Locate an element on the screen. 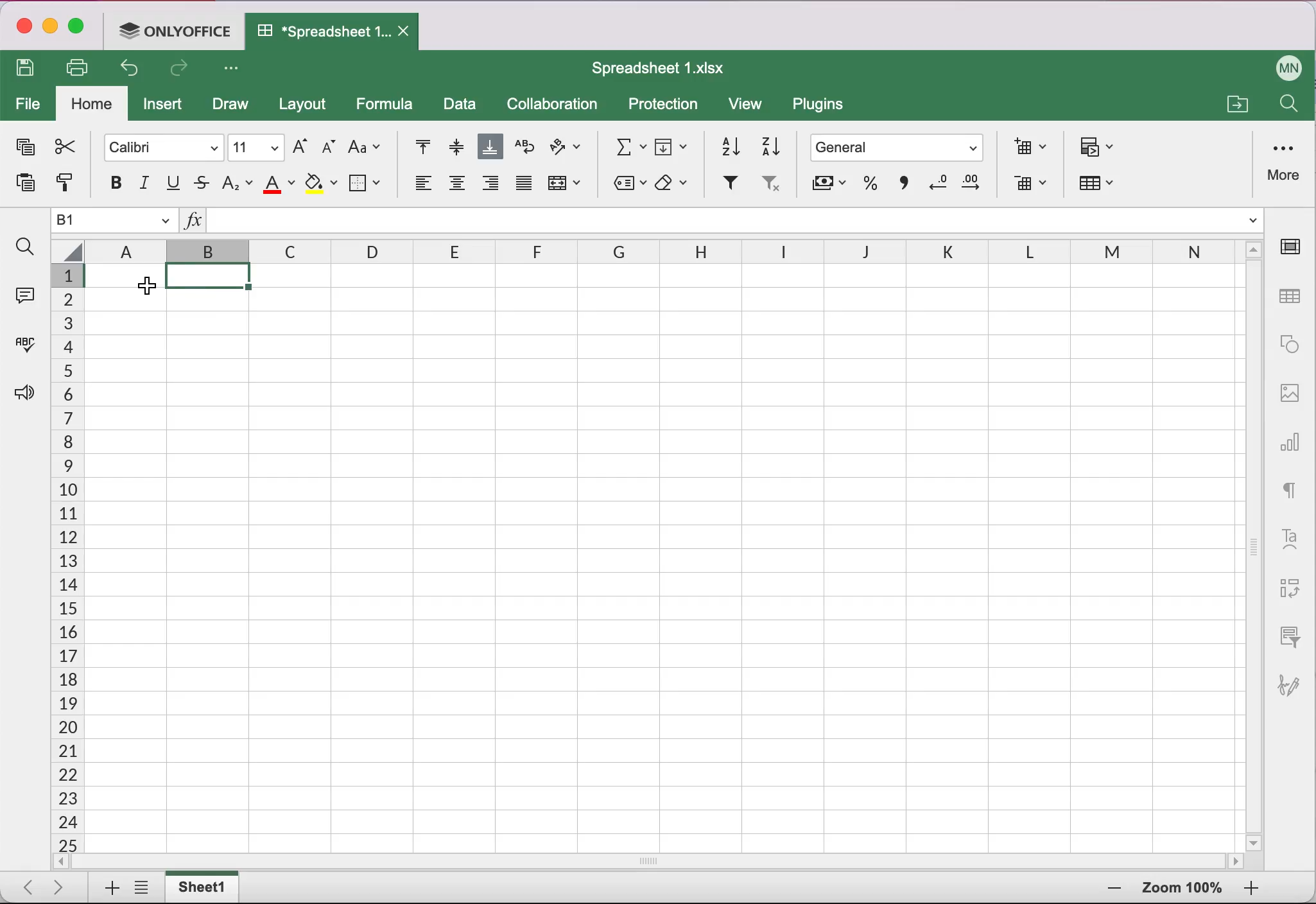 The width and height of the screenshot is (1316, 904). columns is located at coordinates (528, 252).